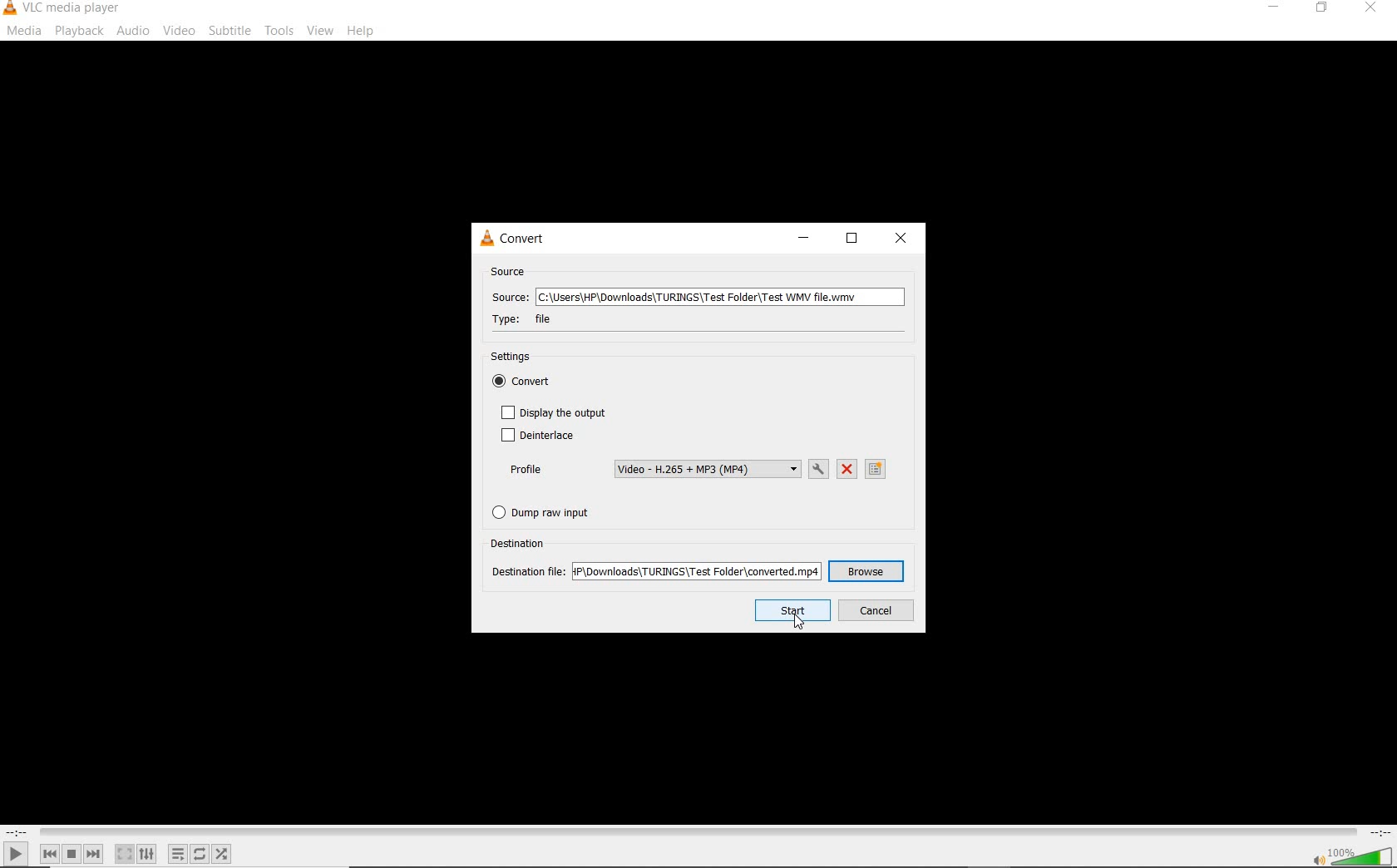 The width and height of the screenshot is (1397, 868). What do you see at coordinates (510, 272) in the screenshot?
I see `SOURCE` at bounding box center [510, 272].